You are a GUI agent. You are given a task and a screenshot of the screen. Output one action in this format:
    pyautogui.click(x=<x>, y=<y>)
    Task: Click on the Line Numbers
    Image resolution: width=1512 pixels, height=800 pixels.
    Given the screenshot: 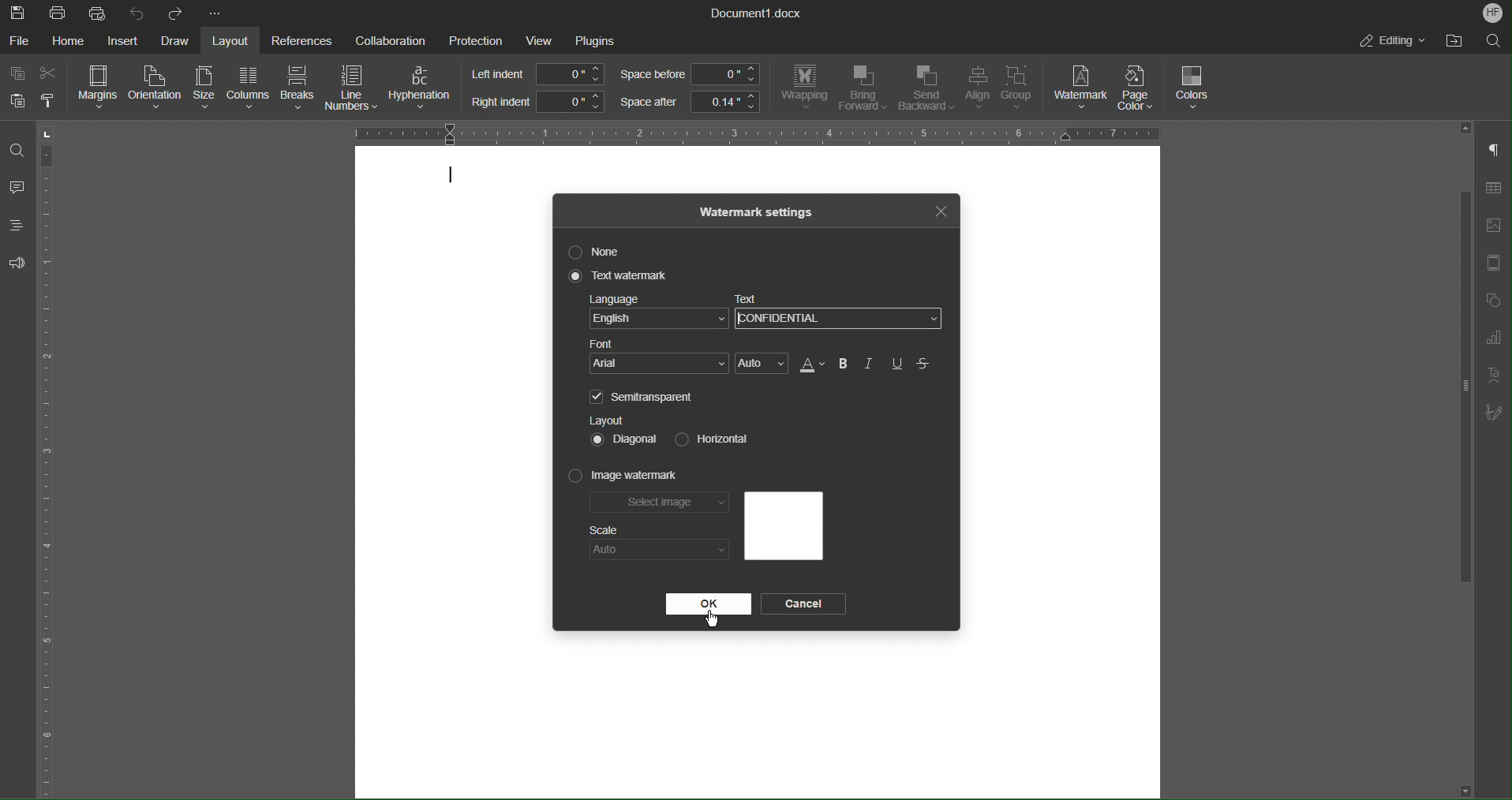 What is the action you would take?
    pyautogui.click(x=353, y=90)
    